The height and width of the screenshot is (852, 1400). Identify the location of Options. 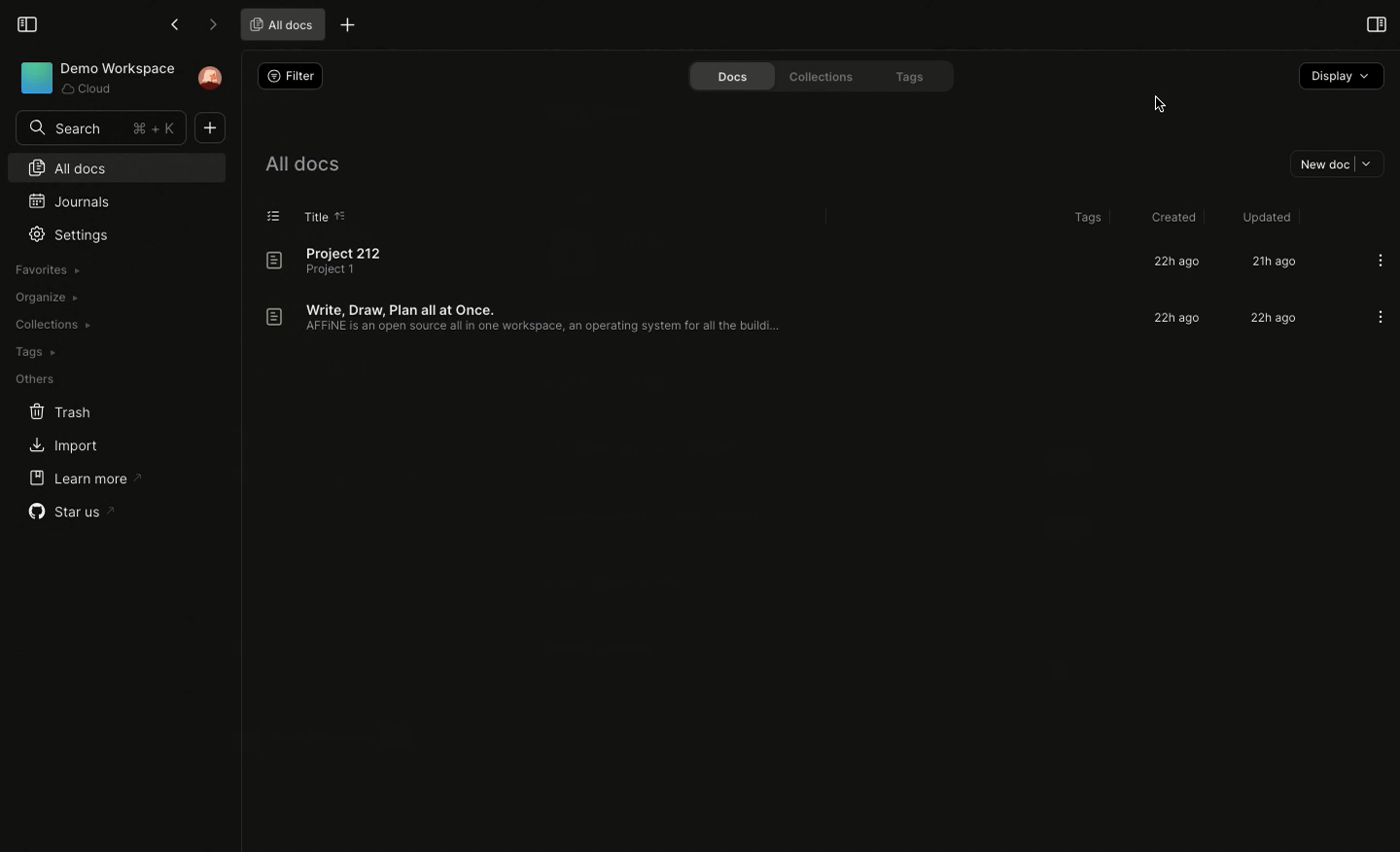
(1381, 260).